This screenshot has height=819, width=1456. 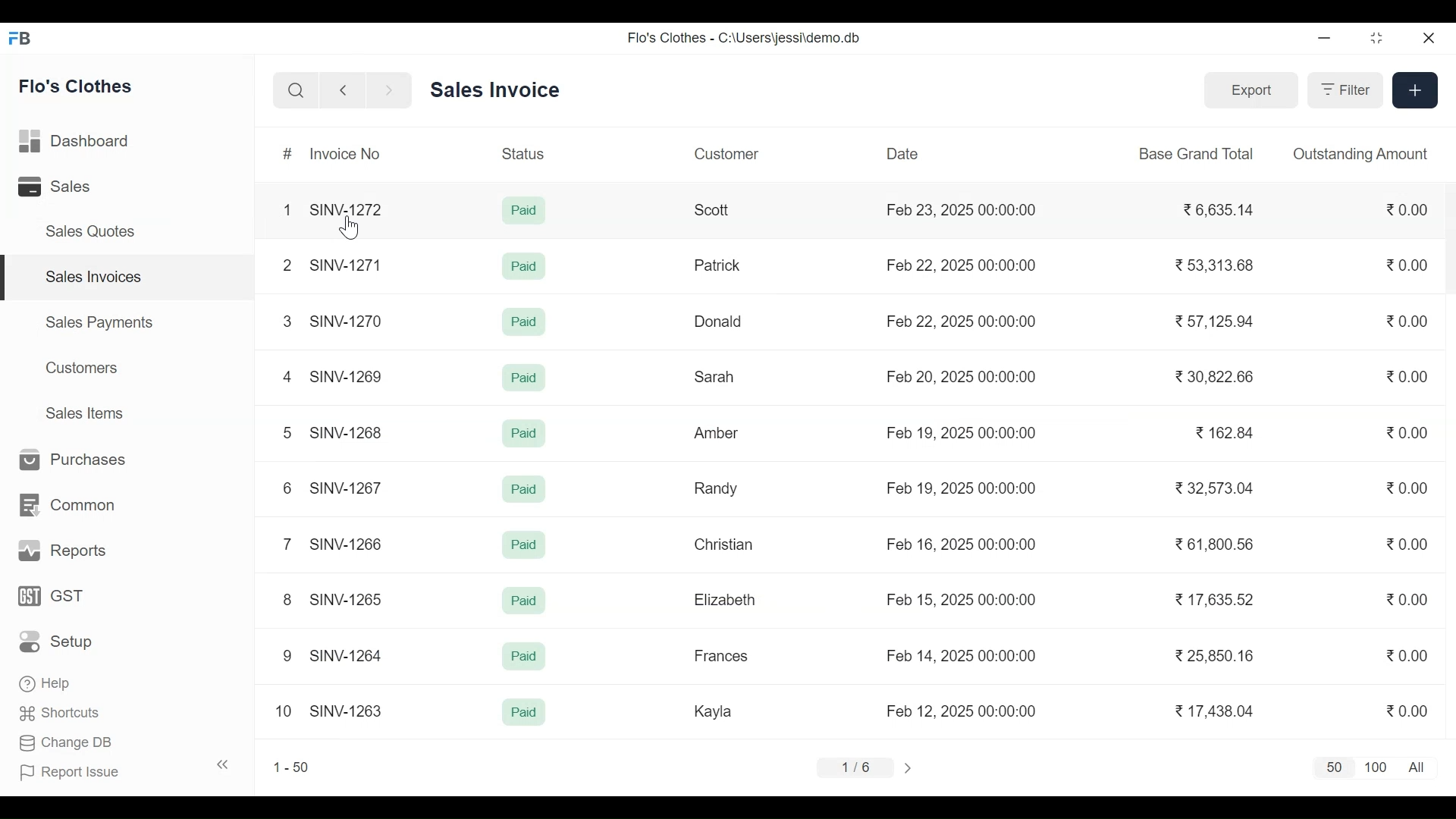 What do you see at coordinates (1379, 39) in the screenshot?
I see `Restore` at bounding box center [1379, 39].